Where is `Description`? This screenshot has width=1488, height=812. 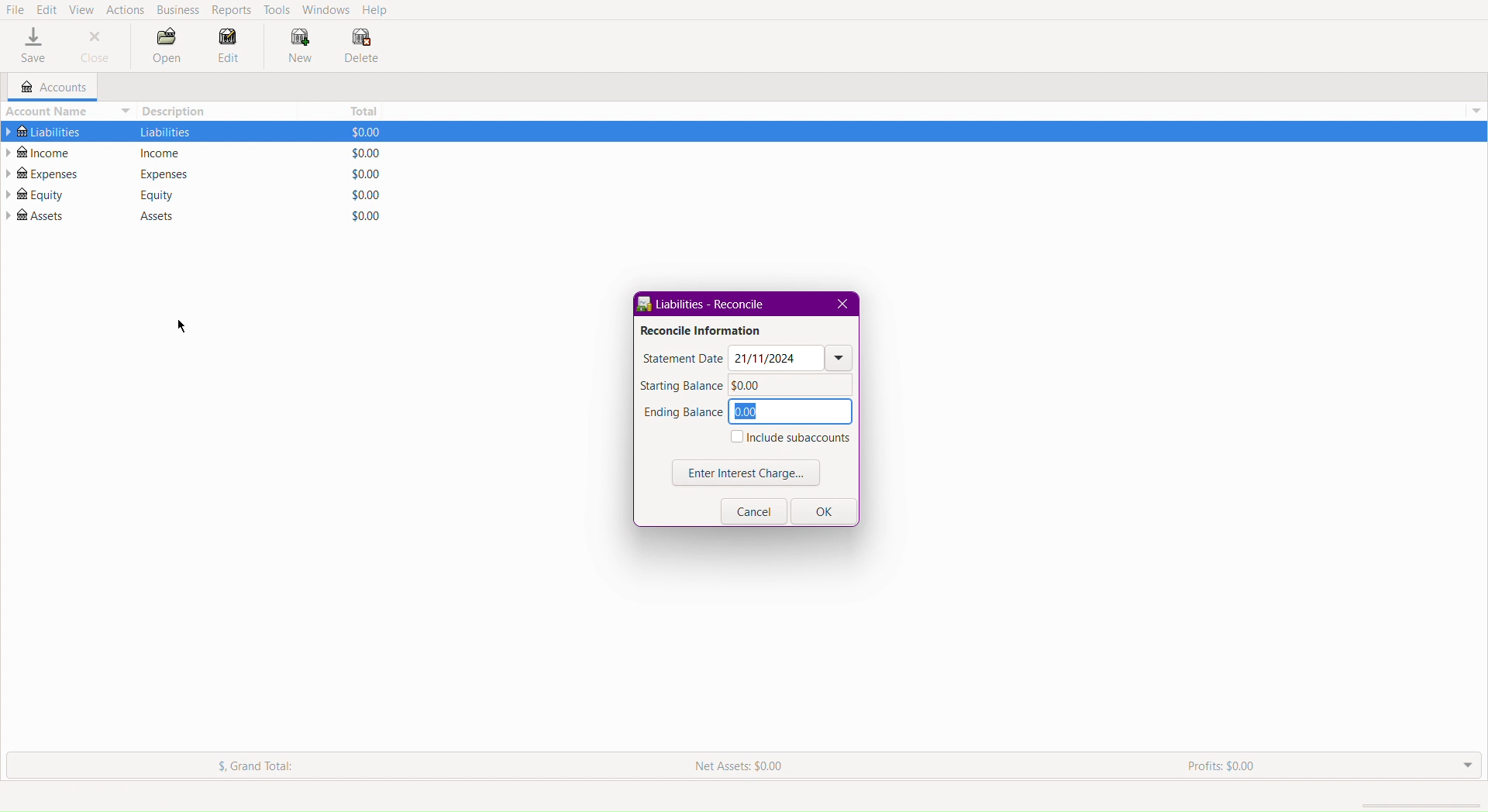 Description is located at coordinates (166, 132).